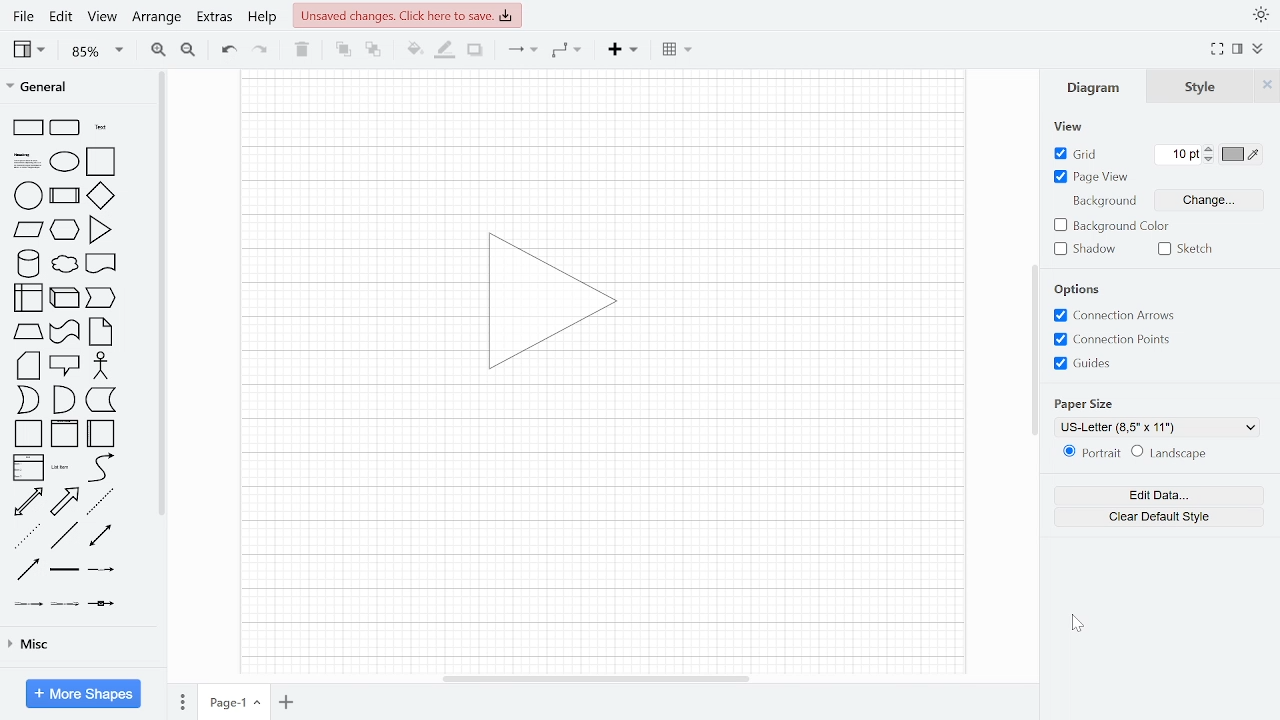 The width and height of the screenshot is (1280, 720). I want to click on Page-1, current page, so click(234, 702).